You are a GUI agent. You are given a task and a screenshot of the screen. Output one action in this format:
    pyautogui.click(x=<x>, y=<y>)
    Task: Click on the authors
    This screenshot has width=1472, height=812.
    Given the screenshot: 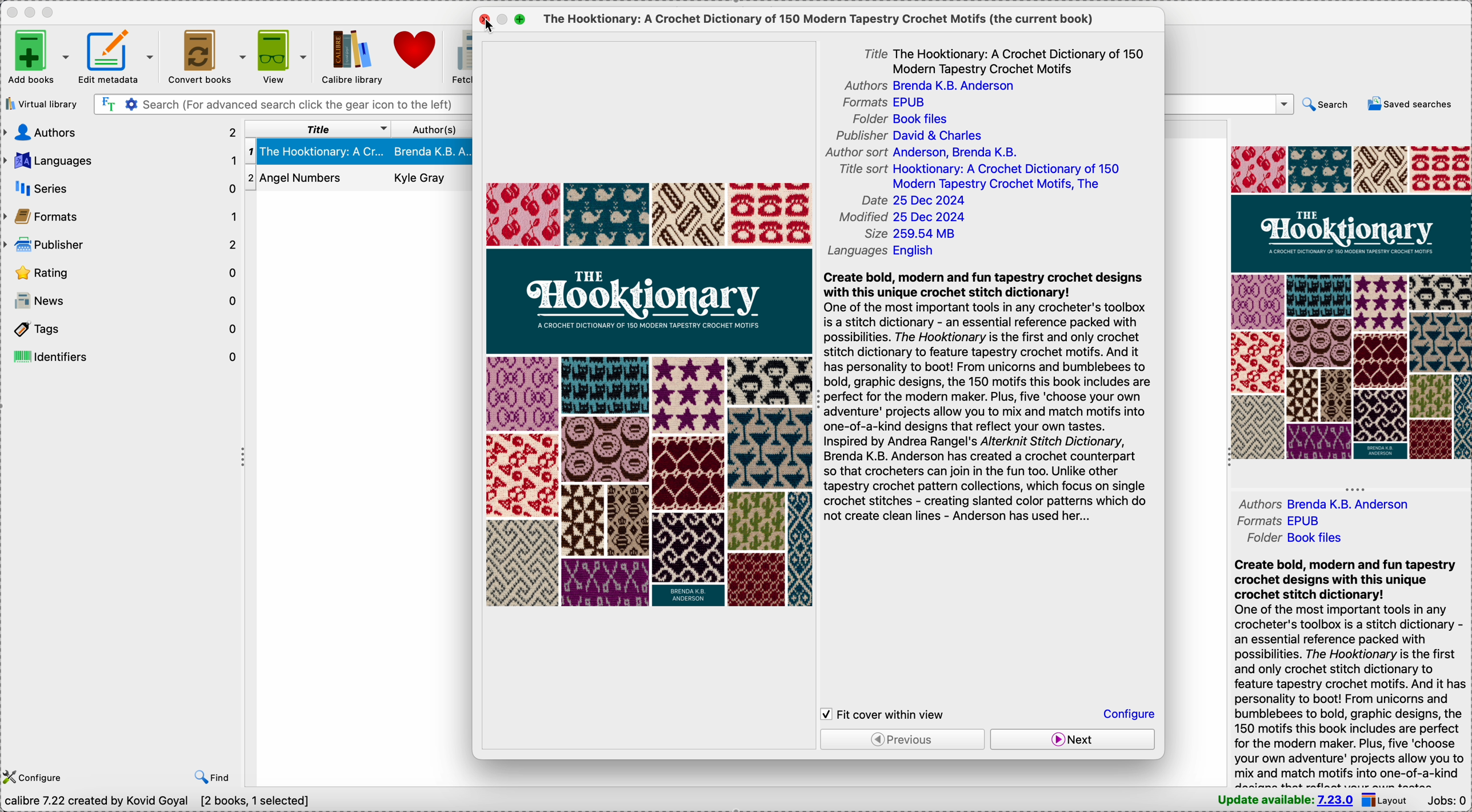 What is the action you would take?
    pyautogui.click(x=936, y=86)
    